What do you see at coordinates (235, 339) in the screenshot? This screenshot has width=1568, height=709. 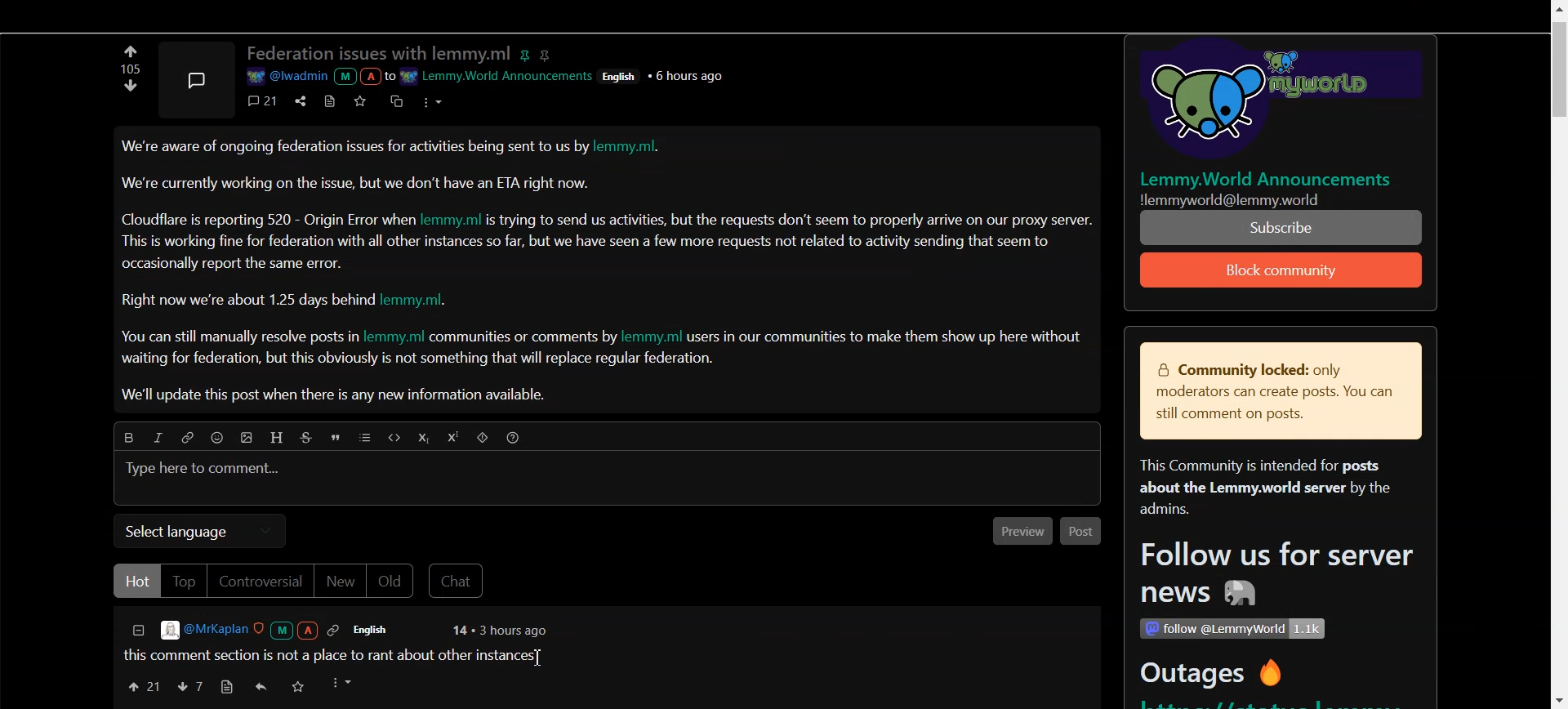 I see `You can still manually resolve posts in` at bounding box center [235, 339].